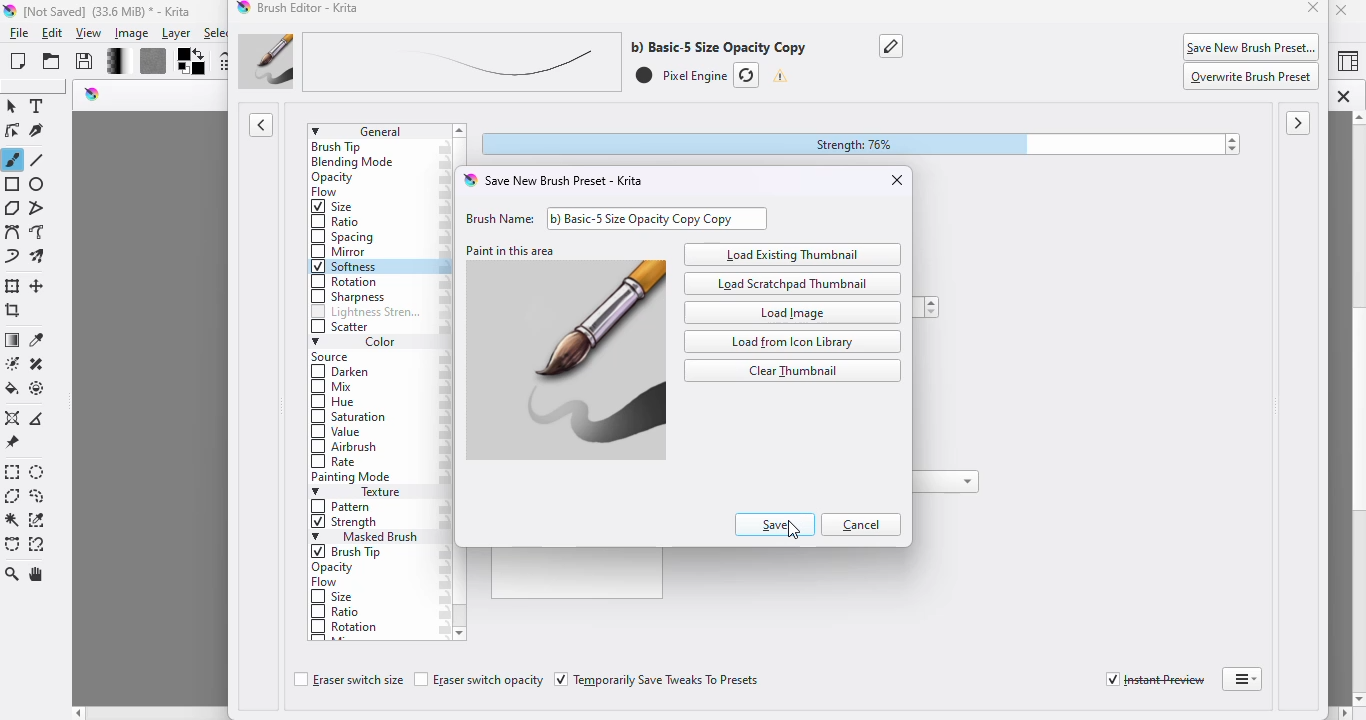 This screenshot has width=1366, height=720. What do you see at coordinates (862, 145) in the screenshot?
I see `strength 76%` at bounding box center [862, 145].